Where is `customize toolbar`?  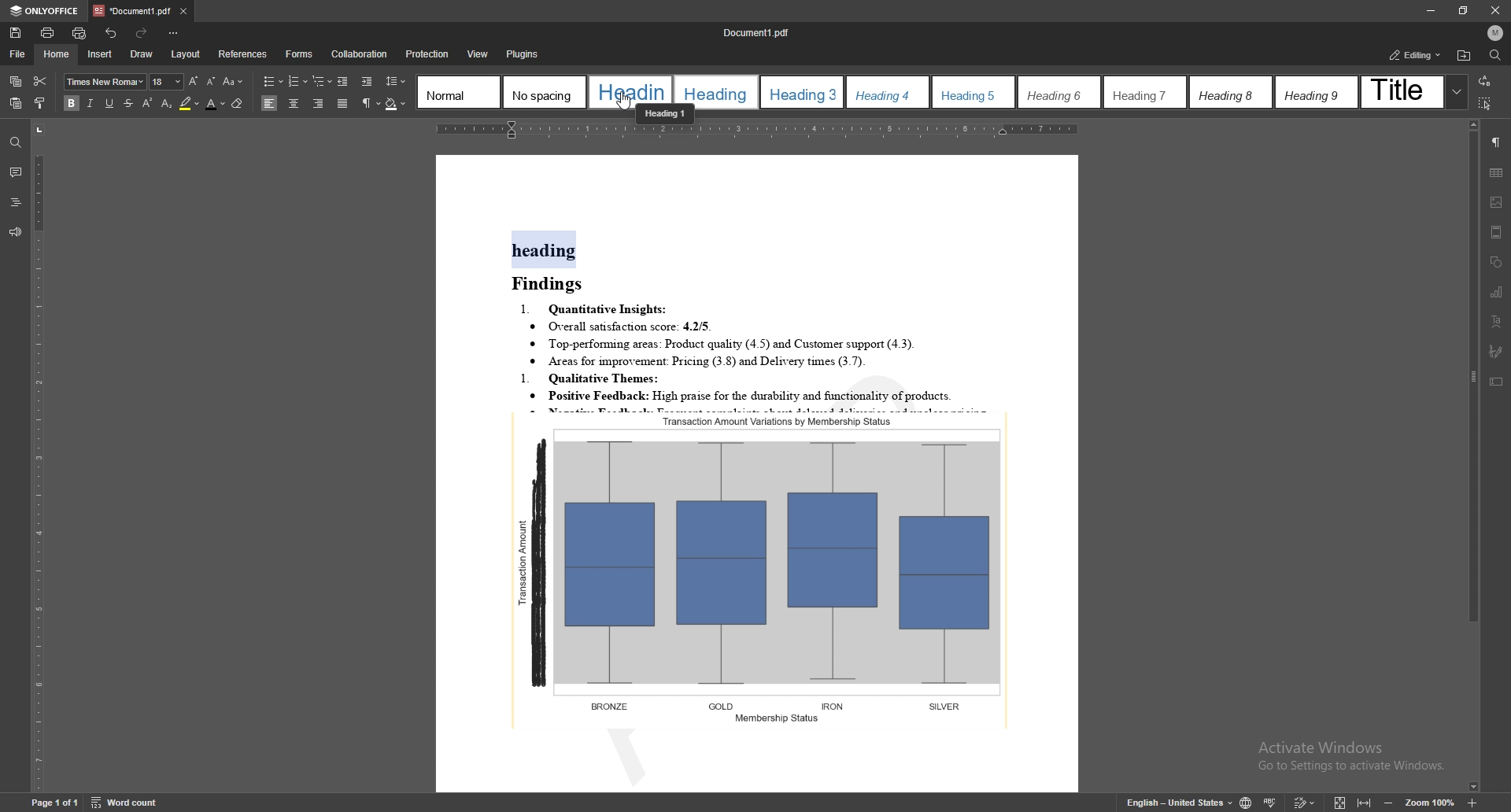
customize toolbar is located at coordinates (175, 34).